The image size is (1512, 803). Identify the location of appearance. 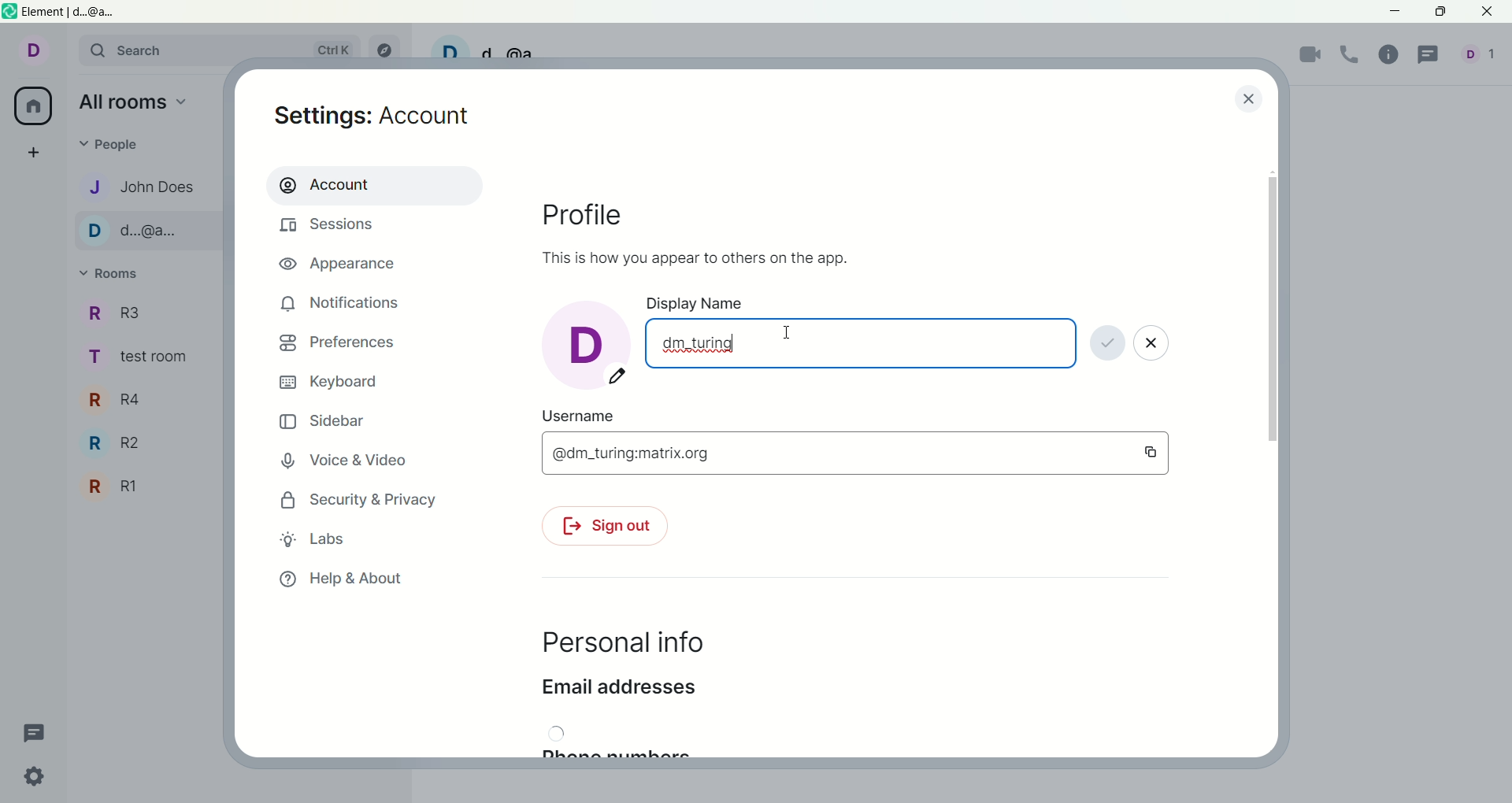
(344, 266).